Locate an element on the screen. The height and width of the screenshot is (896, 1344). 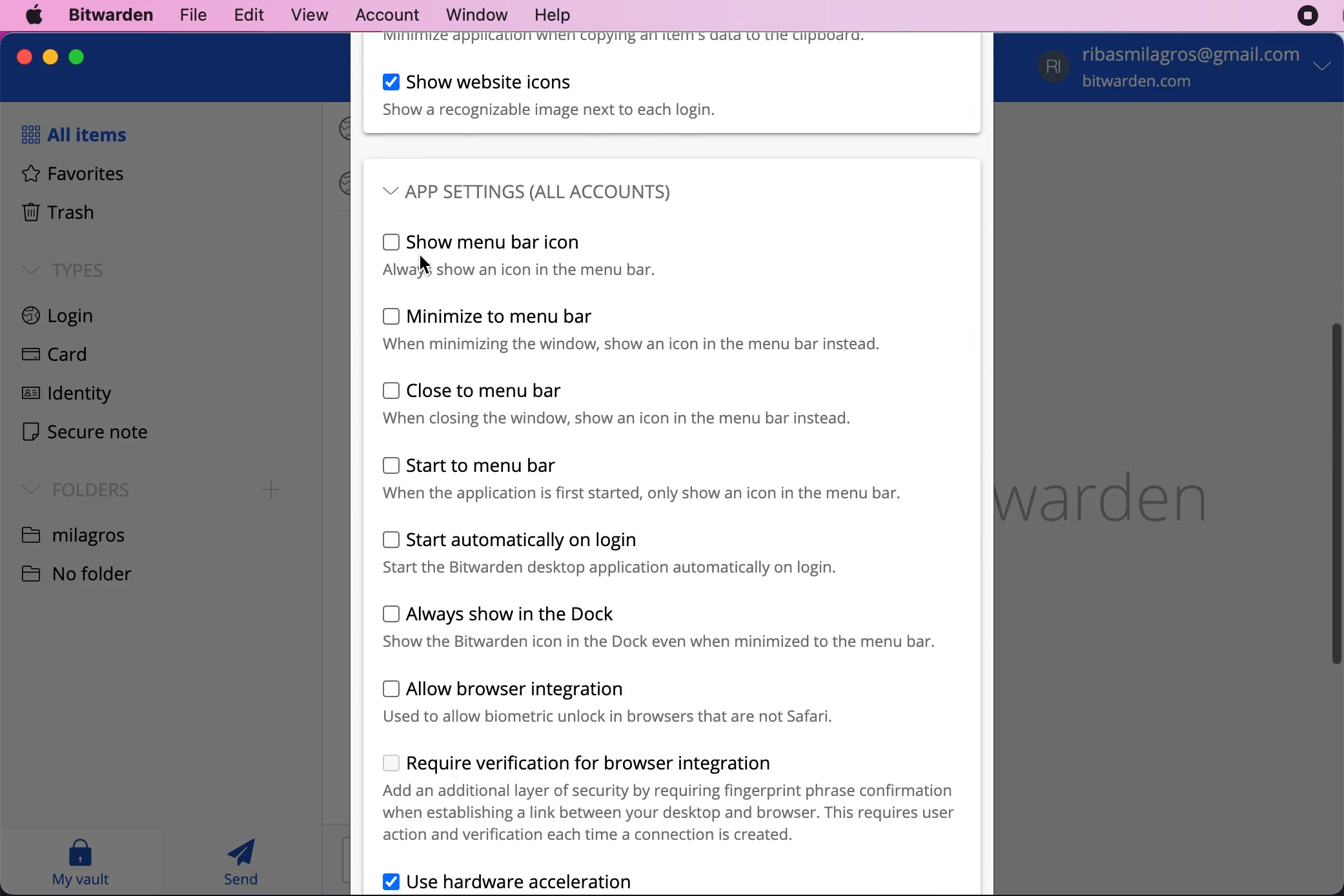
close to menu bar is located at coordinates (642, 404).